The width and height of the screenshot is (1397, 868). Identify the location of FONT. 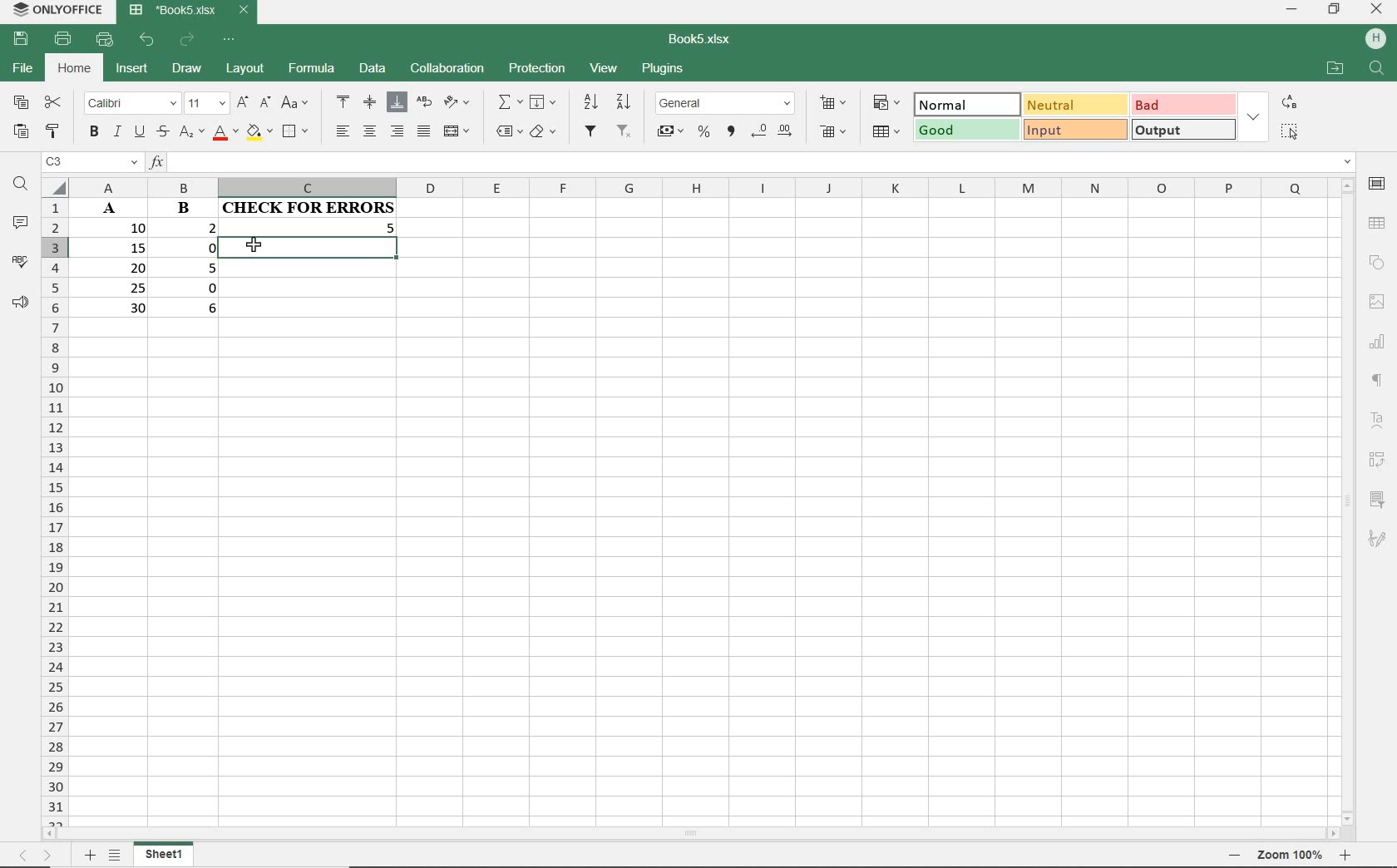
(128, 105).